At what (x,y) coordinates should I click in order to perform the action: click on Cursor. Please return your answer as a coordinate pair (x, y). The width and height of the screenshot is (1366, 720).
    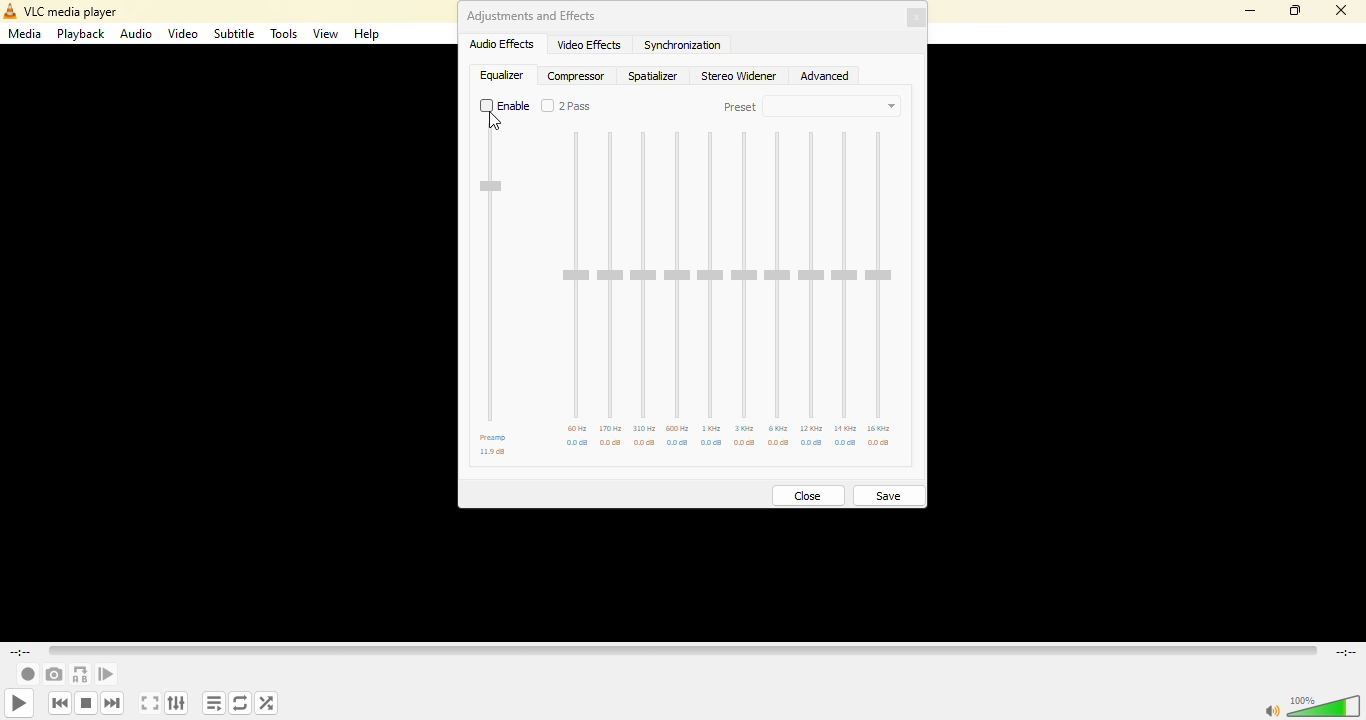
    Looking at the image, I should click on (493, 126).